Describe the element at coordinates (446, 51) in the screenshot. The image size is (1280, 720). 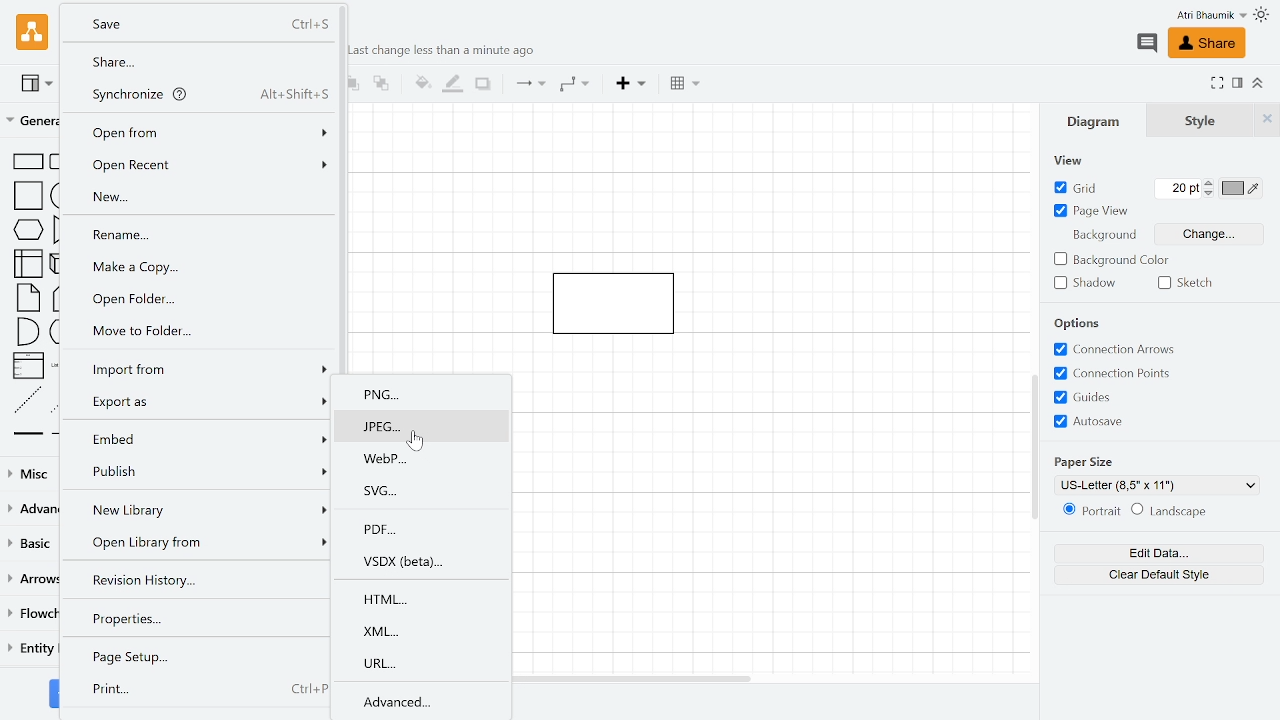
I see `last change` at that location.